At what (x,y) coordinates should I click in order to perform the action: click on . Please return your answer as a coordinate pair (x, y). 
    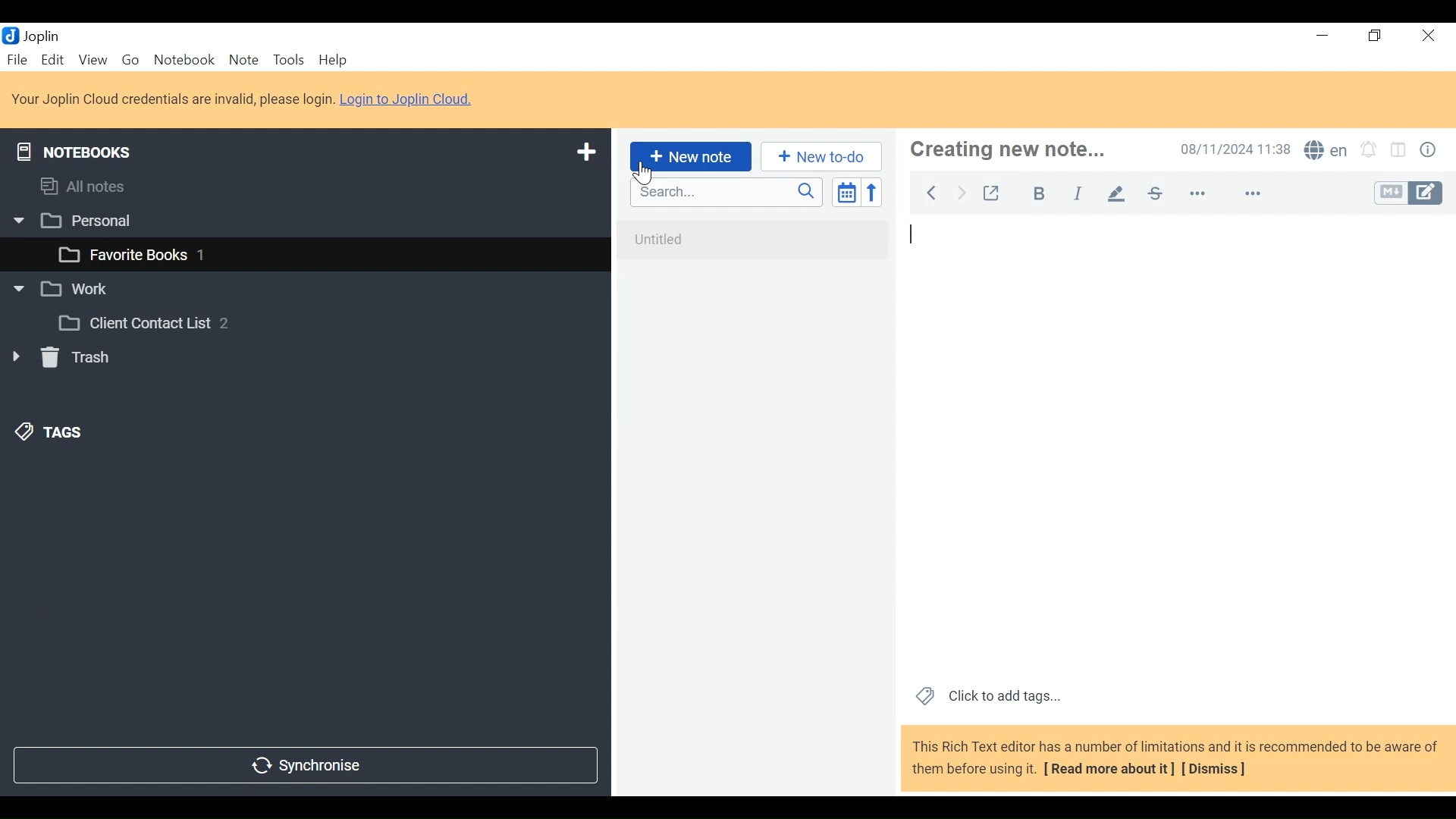
    Looking at the image, I should click on (54, 60).